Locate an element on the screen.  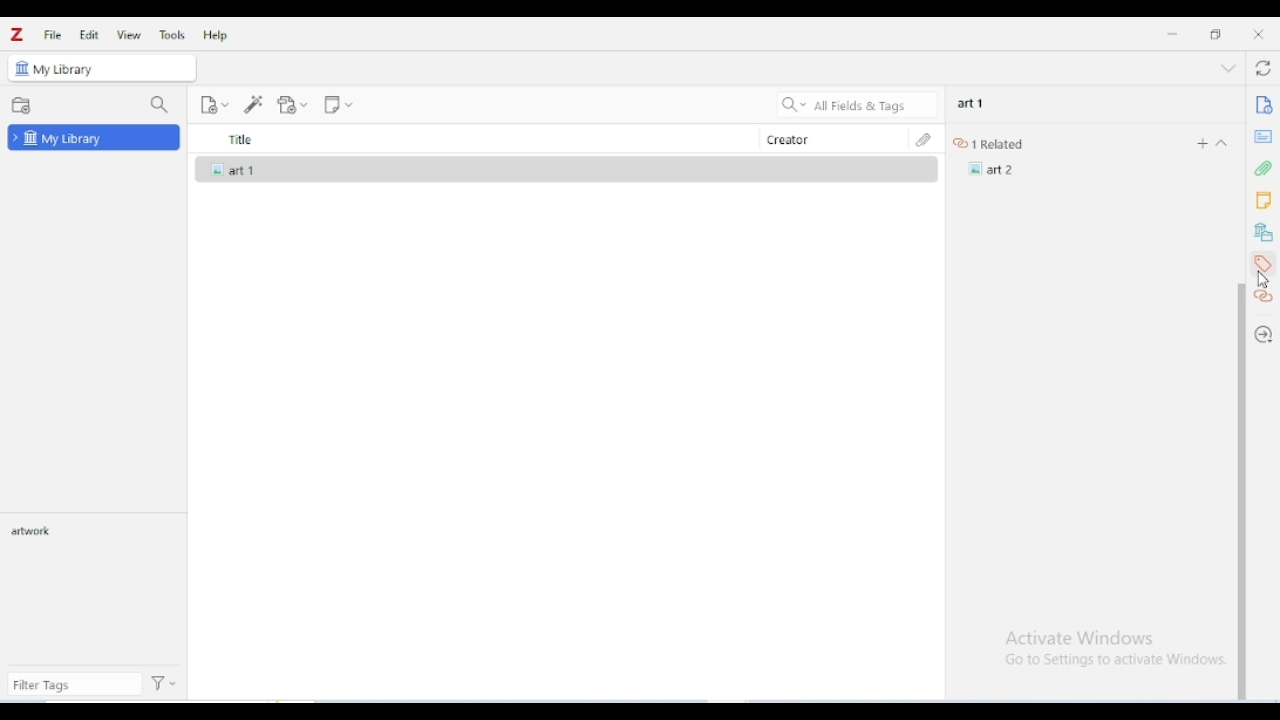
vertical scroll bar is located at coordinates (1242, 490).